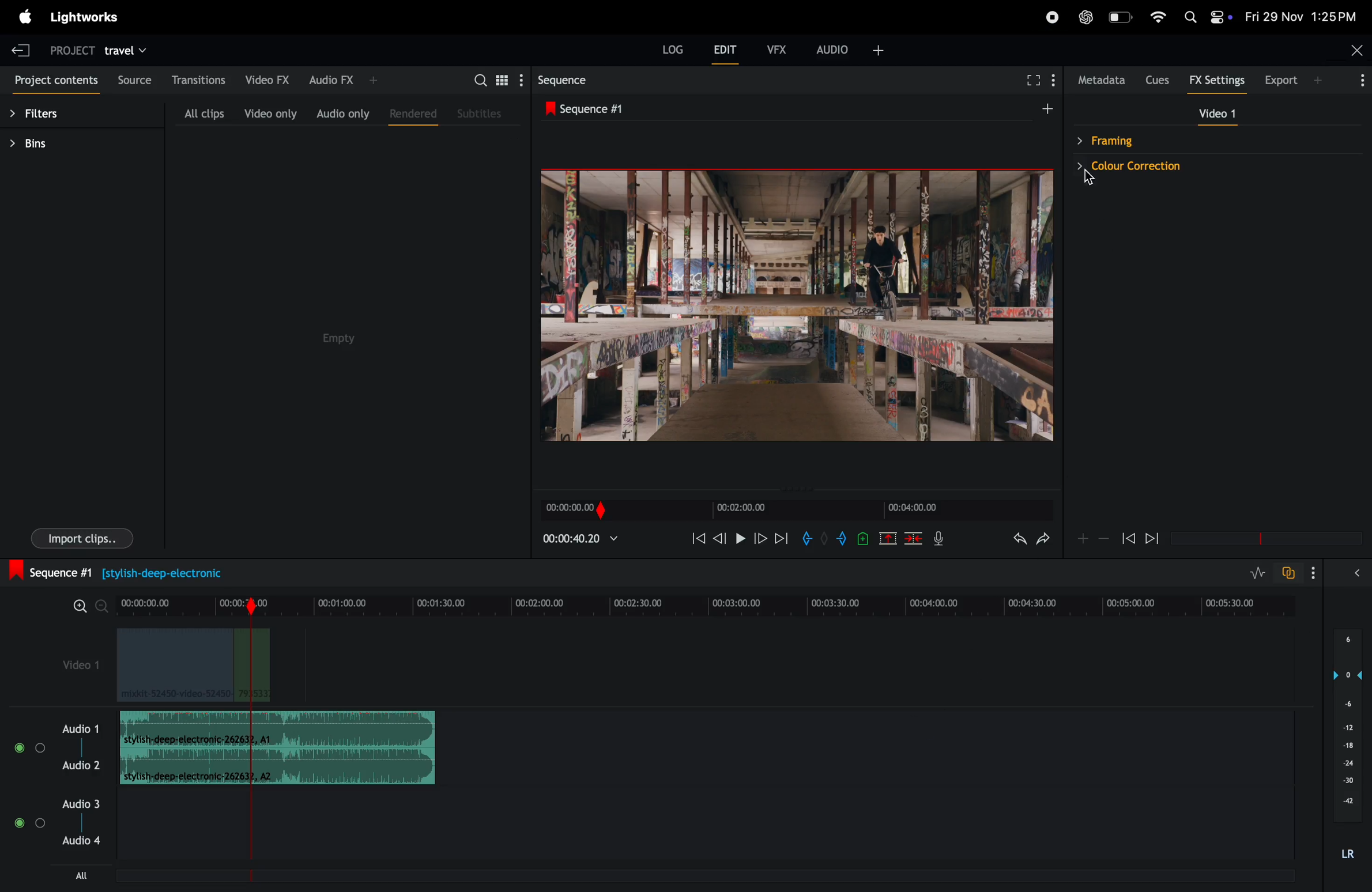 This screenshot has width=1372, height=892. I want to click on toggle between list view, so click(504, 80).